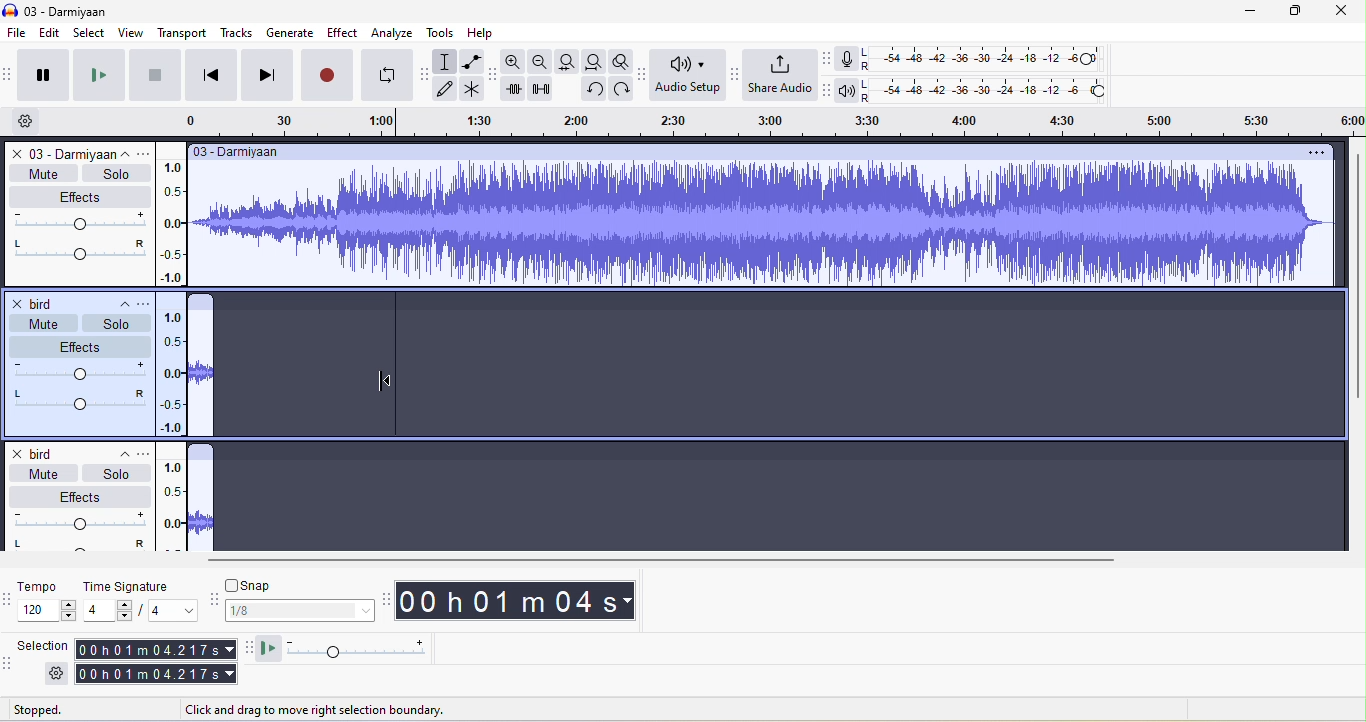 The image size is (1366, 722). Describe the element at coordinates (201, 506) in the screenshot. I see `record audio` at that location.